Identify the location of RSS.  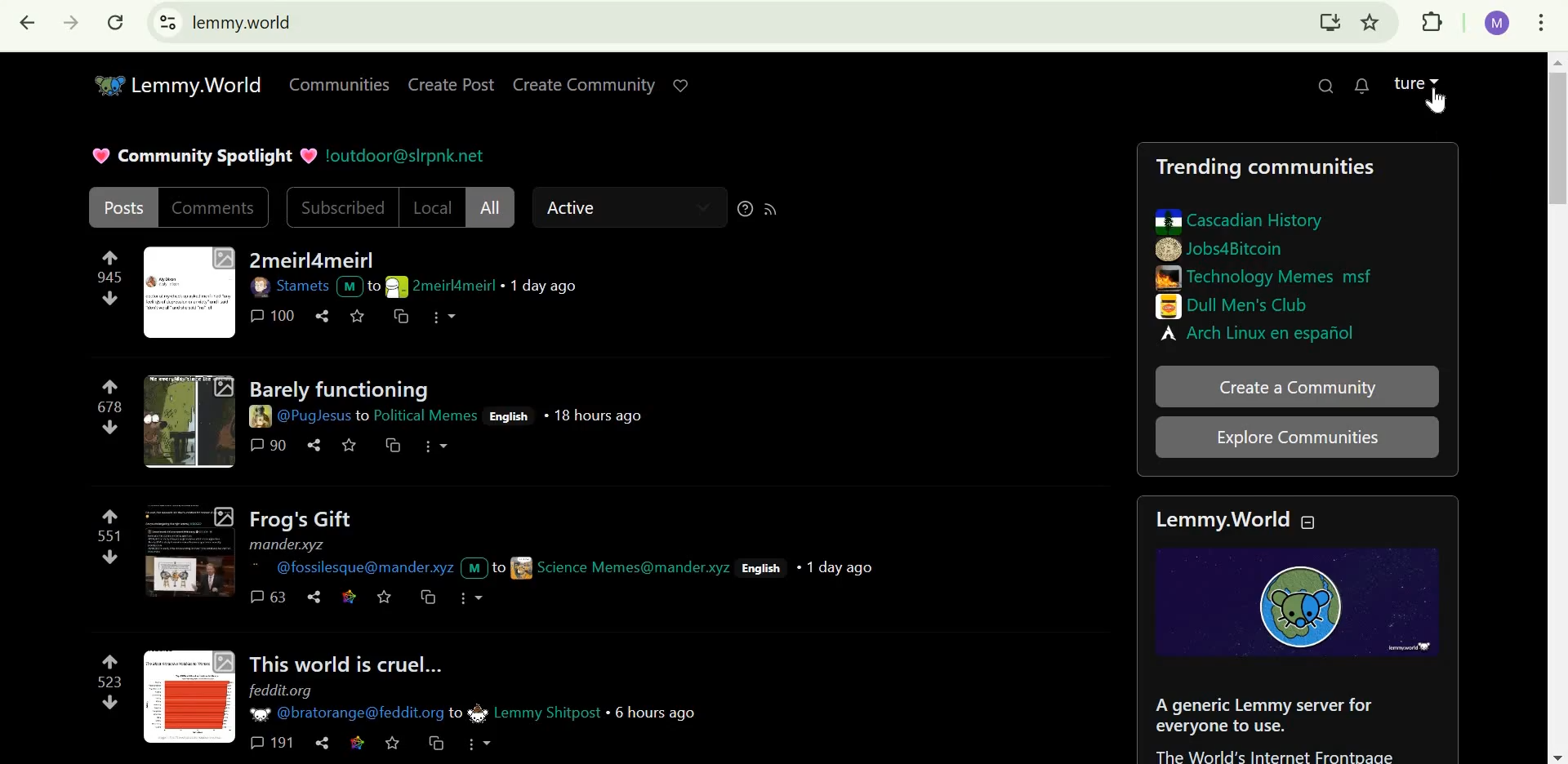
(775, 207).